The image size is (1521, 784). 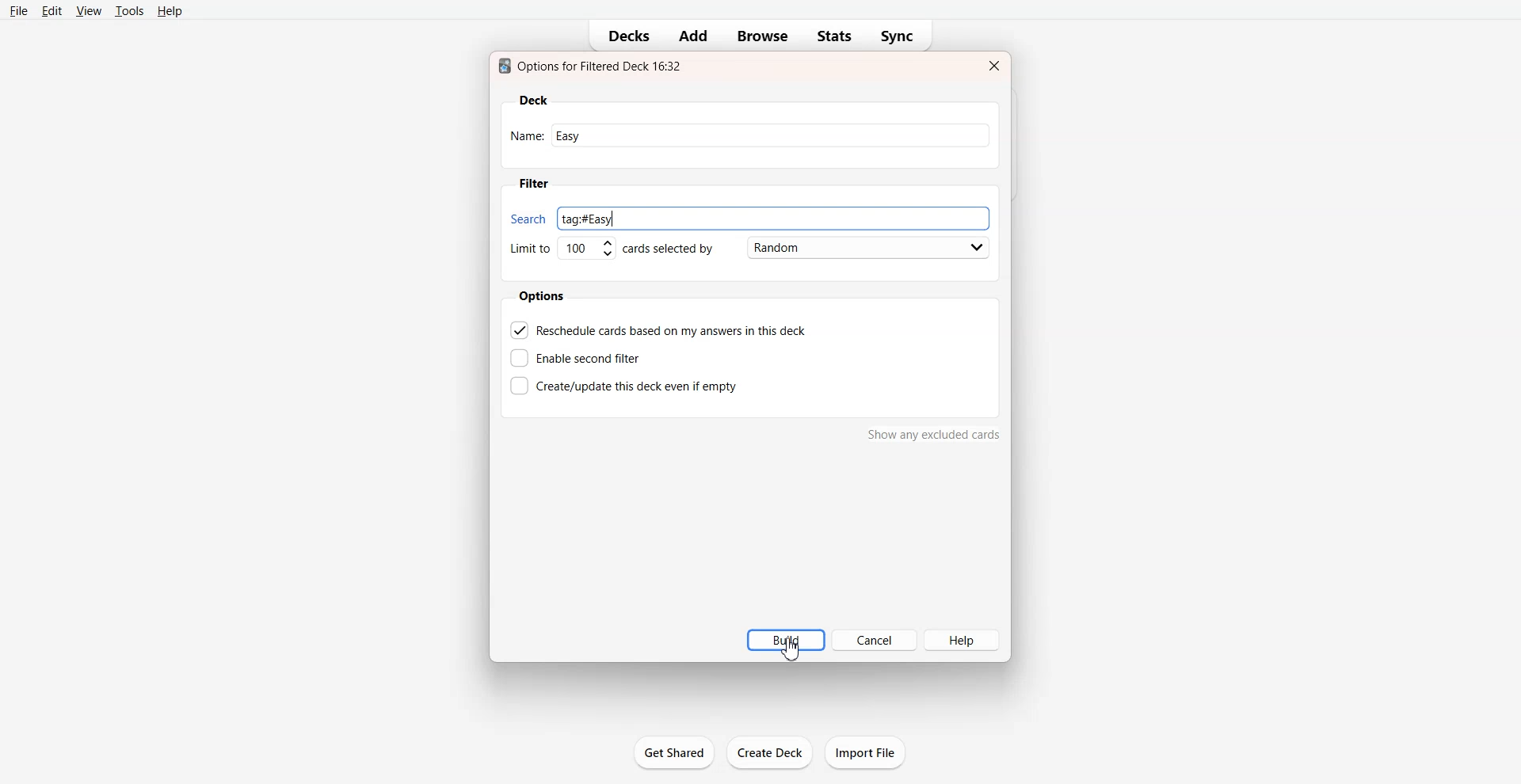 What do you see at coordinates (871, 752) in the screenshot?
I see `import file` at bounding box center [871, 752].